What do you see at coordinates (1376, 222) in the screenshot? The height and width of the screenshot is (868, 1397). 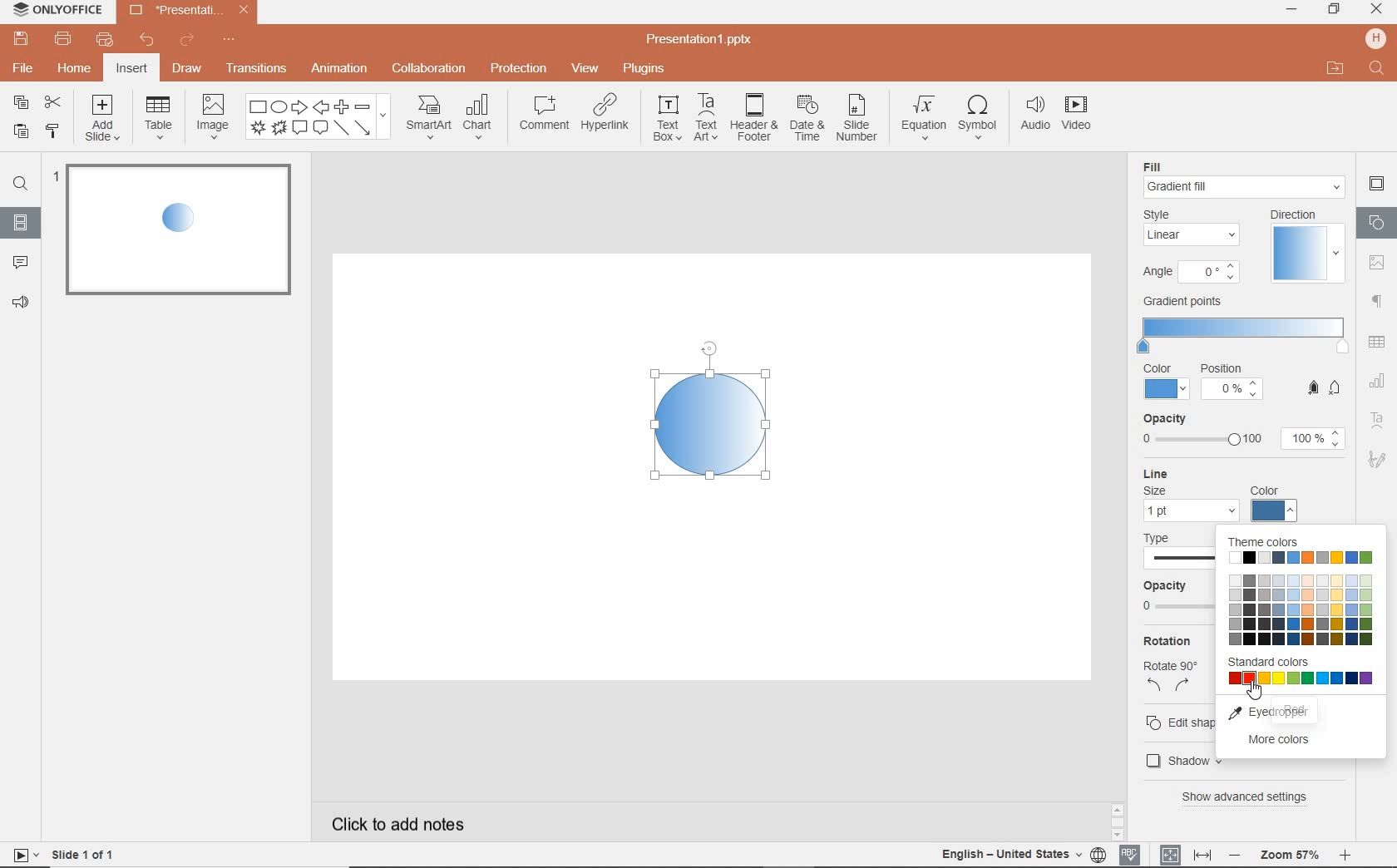 I see `shapes` at bounding box center [1376, 222].